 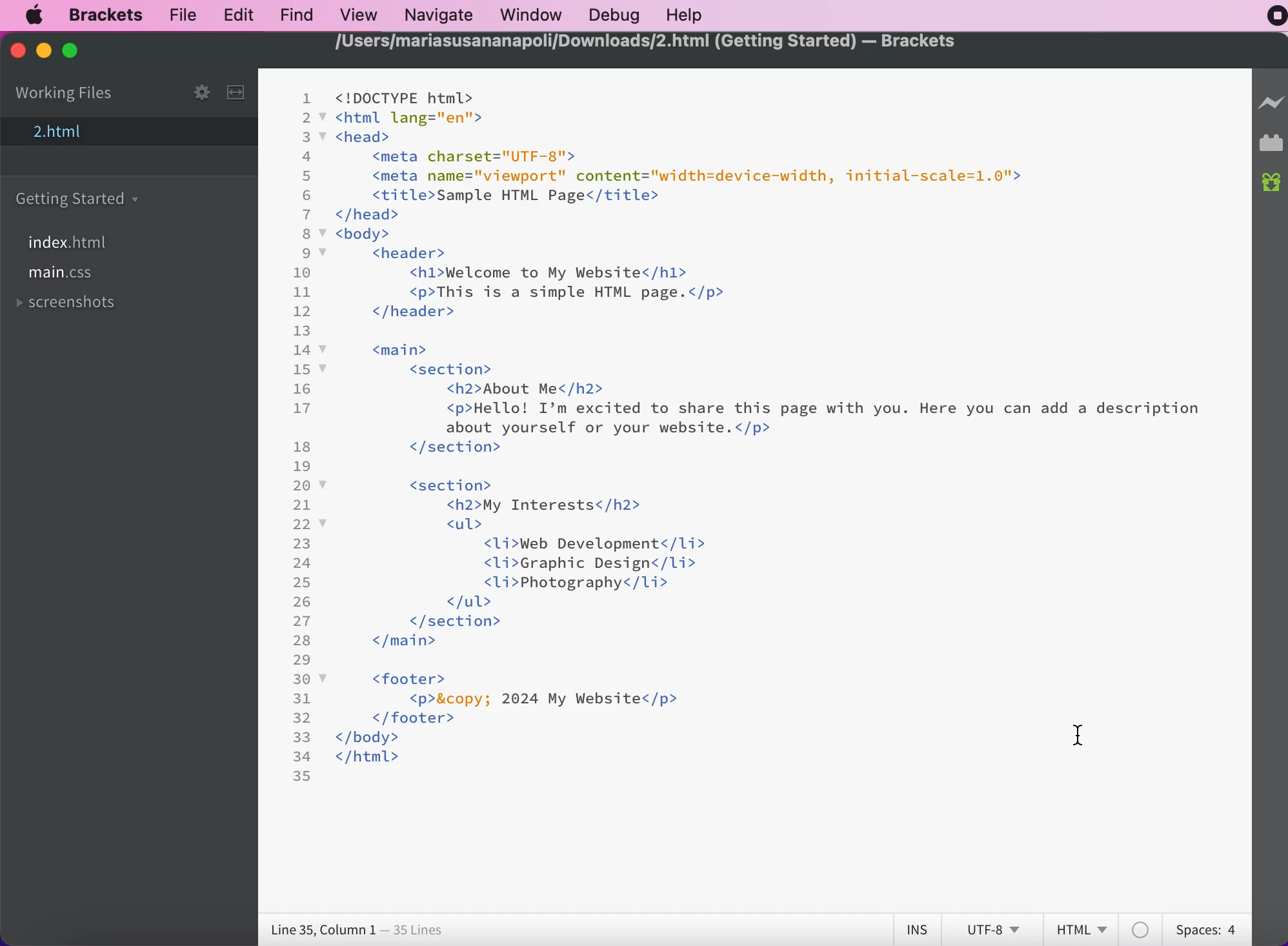 What do you see at coordinates (1269, 103) in the screenshot?
I see `live preview` at bounding box center [1269, 103].